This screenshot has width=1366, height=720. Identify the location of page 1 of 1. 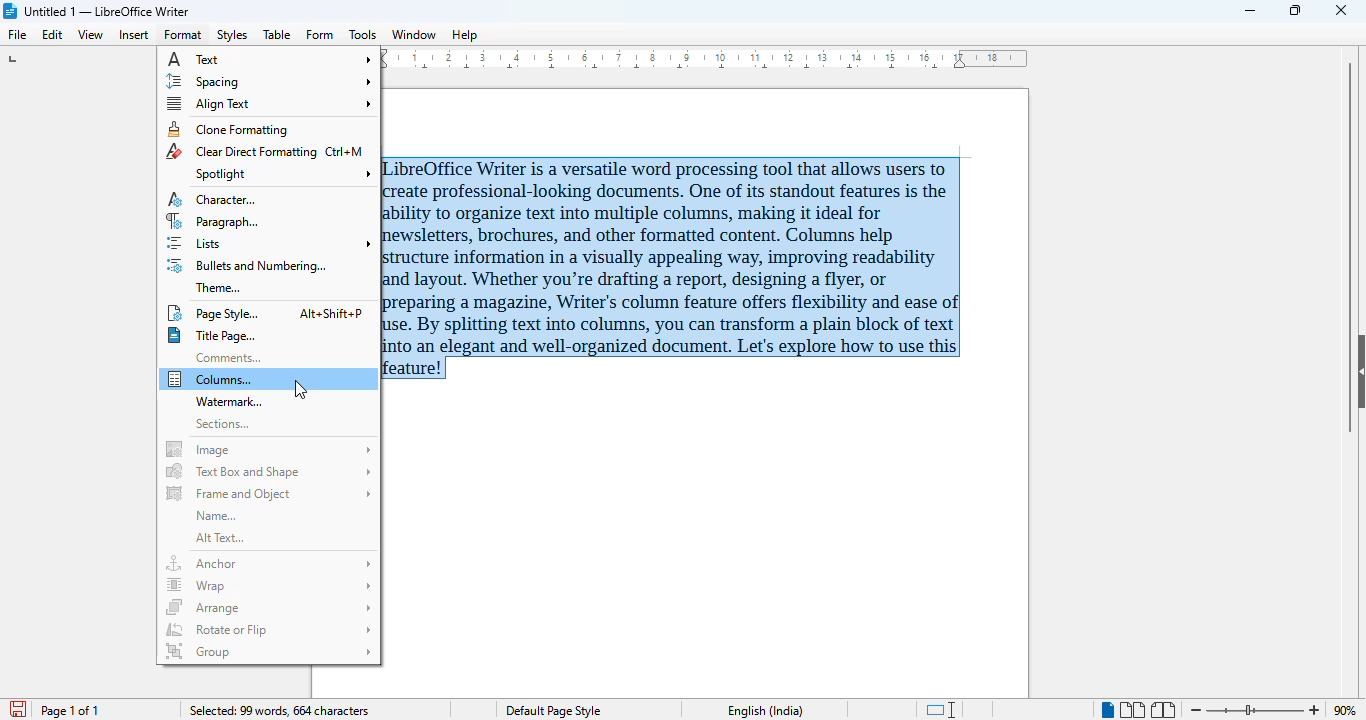
(70, 711).